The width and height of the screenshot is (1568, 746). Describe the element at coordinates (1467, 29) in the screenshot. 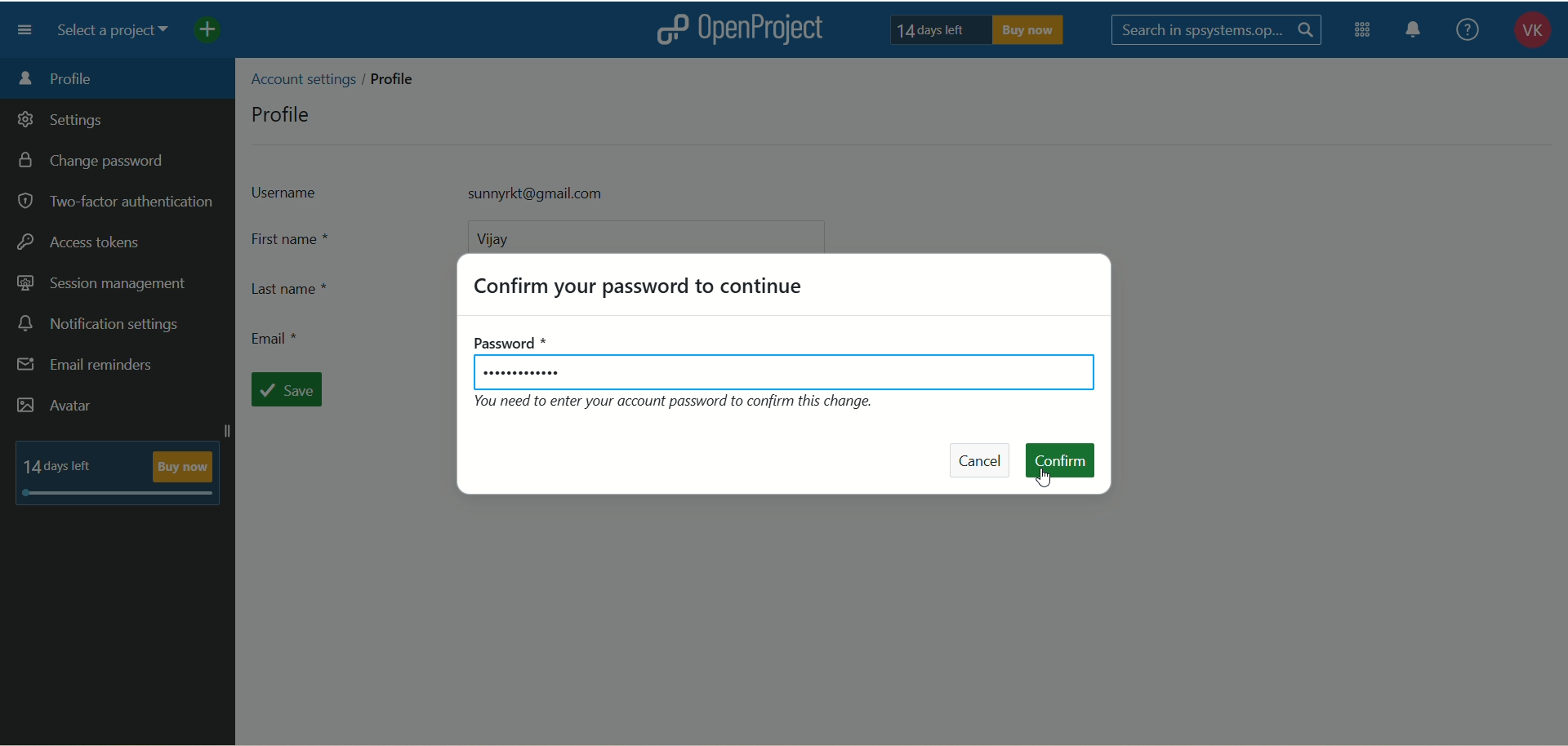

I see `help` at that location.